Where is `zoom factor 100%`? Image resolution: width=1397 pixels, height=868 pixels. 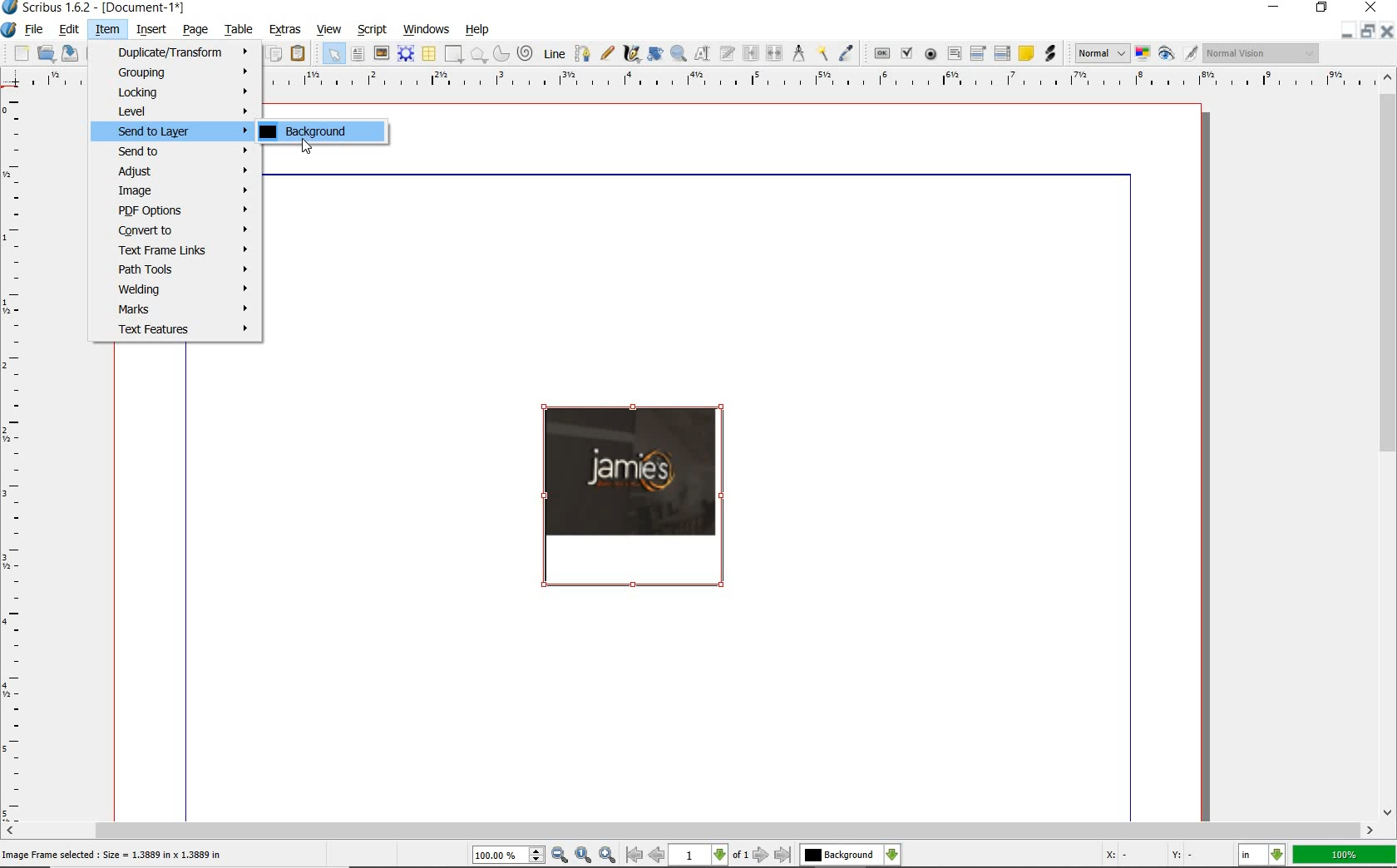 zoom factor 100% is located at coordinates (1345, 854).